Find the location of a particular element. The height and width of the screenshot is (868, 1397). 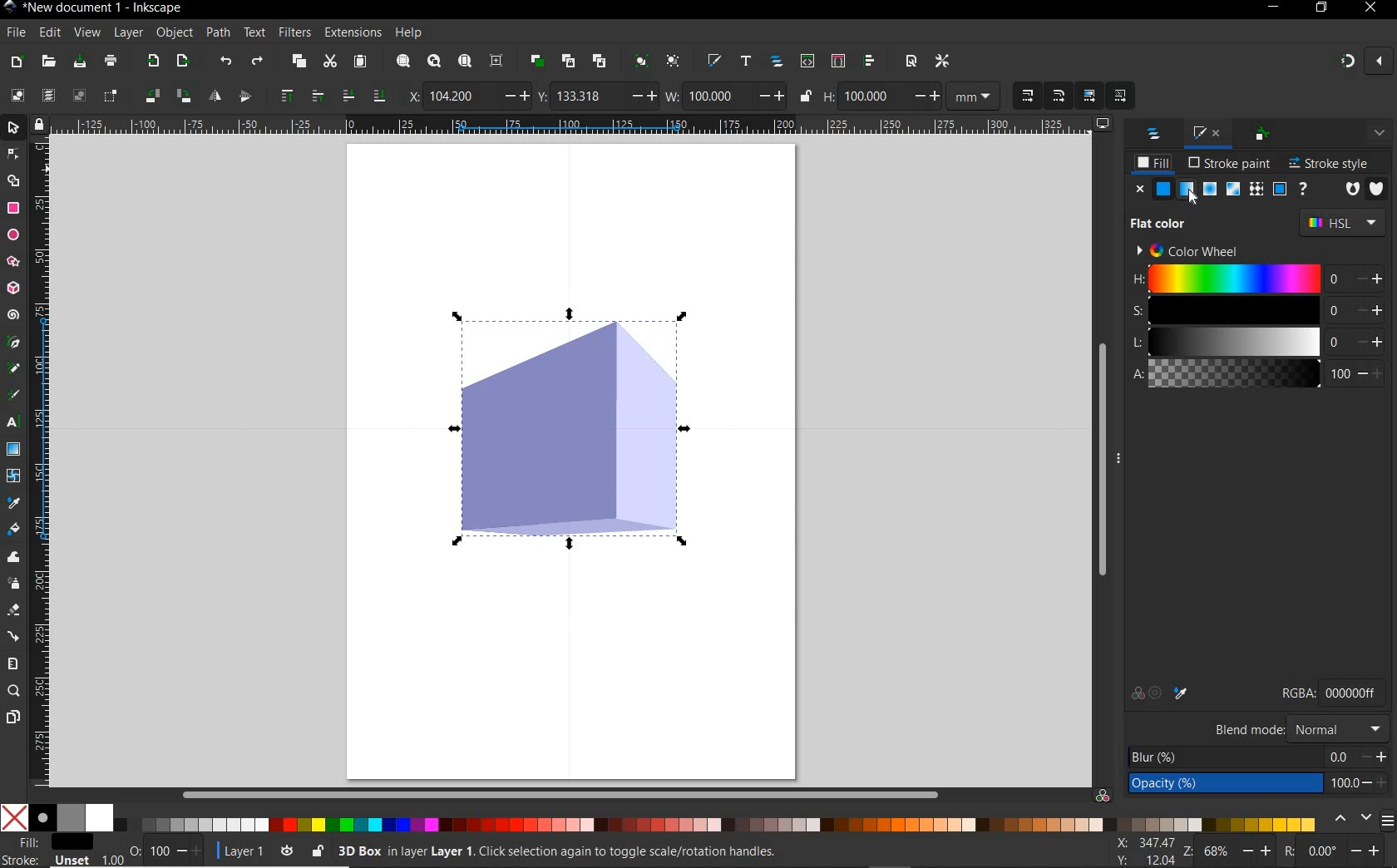

SELECTOR TOOL is located at coordinates (13, 128).